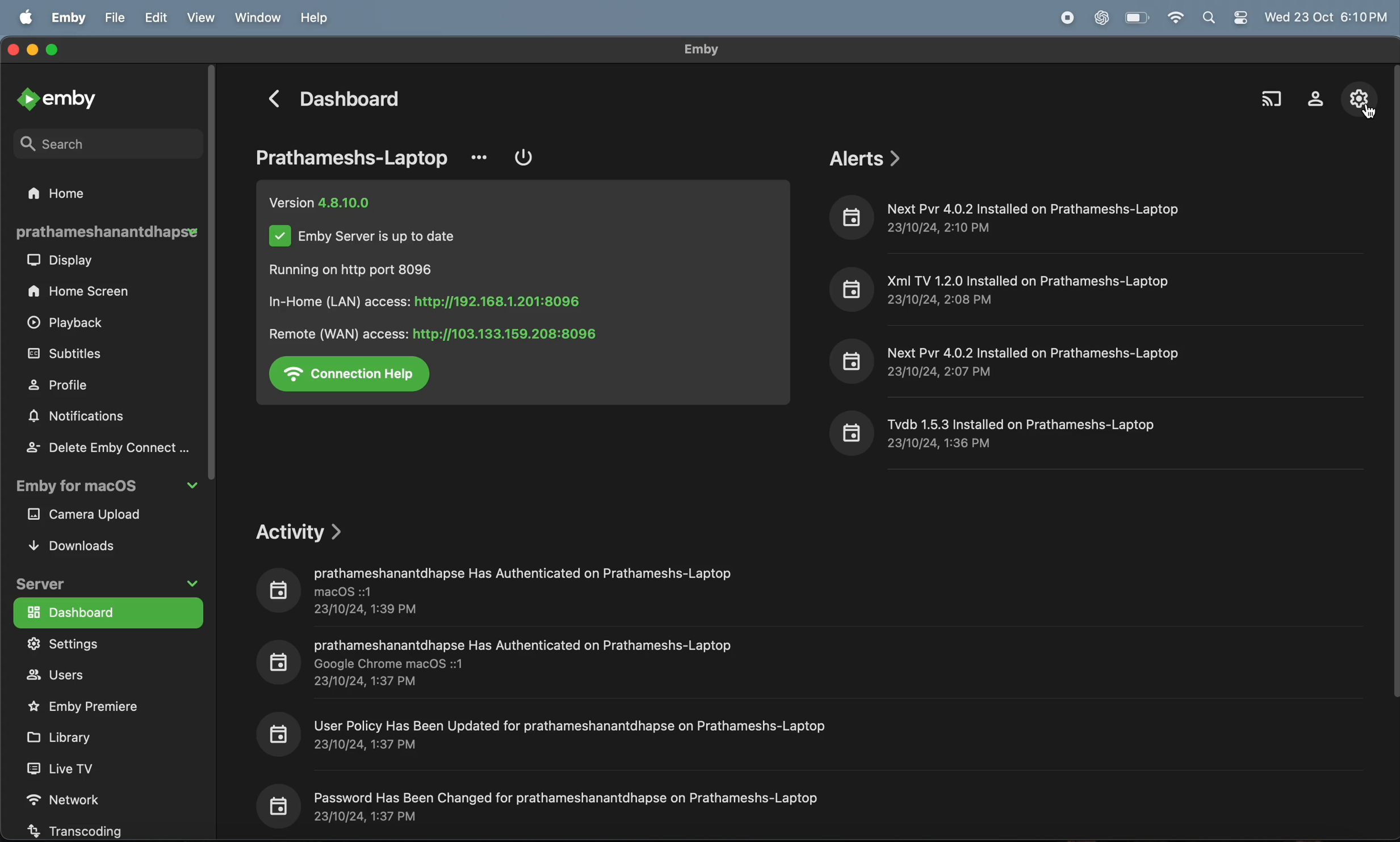  Describe the element at coordinates (878, 157) in the screenshot. I see `alerts` at that location.